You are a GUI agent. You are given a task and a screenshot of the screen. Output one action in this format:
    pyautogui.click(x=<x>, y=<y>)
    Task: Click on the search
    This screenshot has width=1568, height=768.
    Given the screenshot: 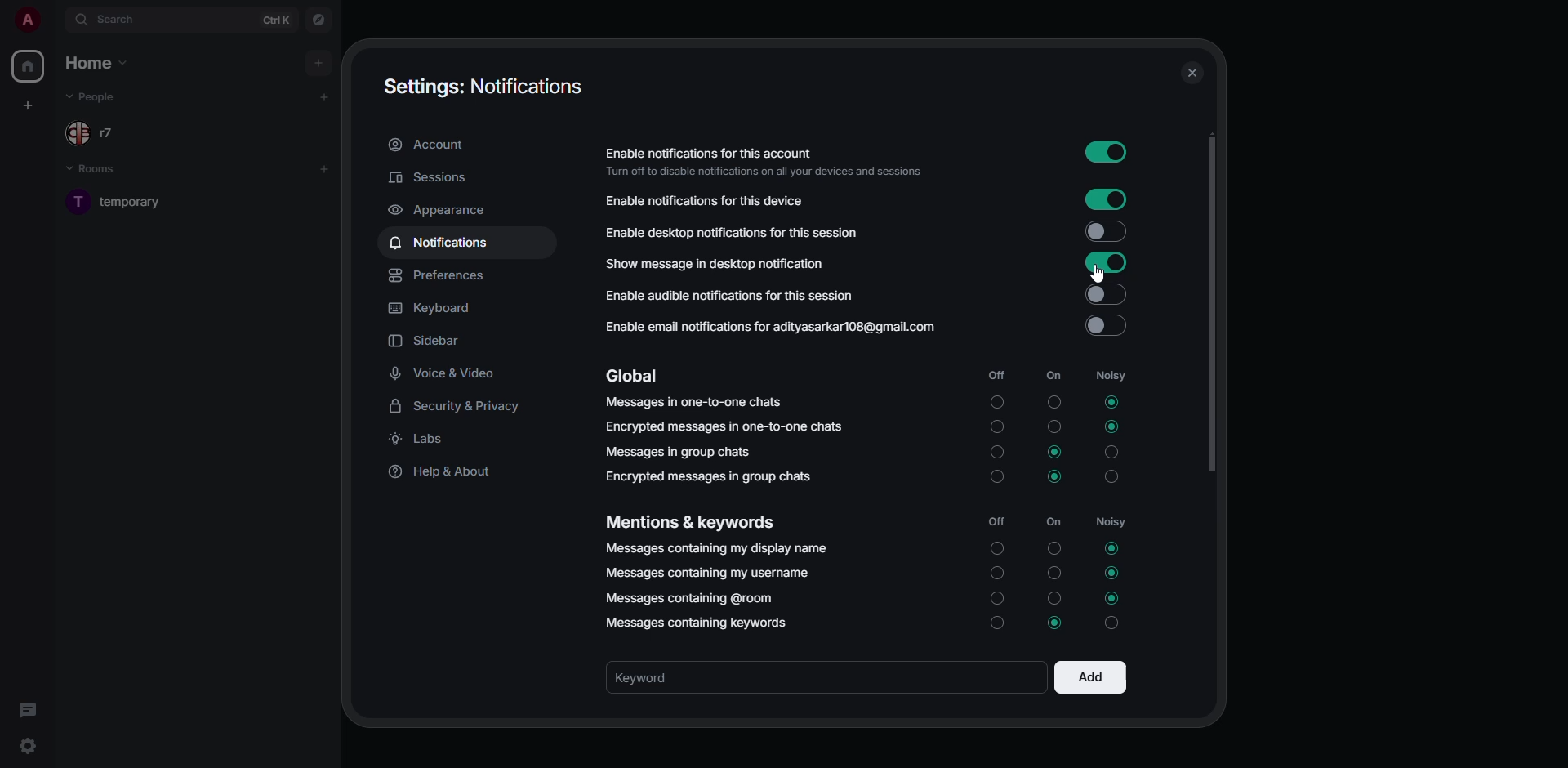 What is the action you would take?
    pyautogui.click(x=106, y=19)
    